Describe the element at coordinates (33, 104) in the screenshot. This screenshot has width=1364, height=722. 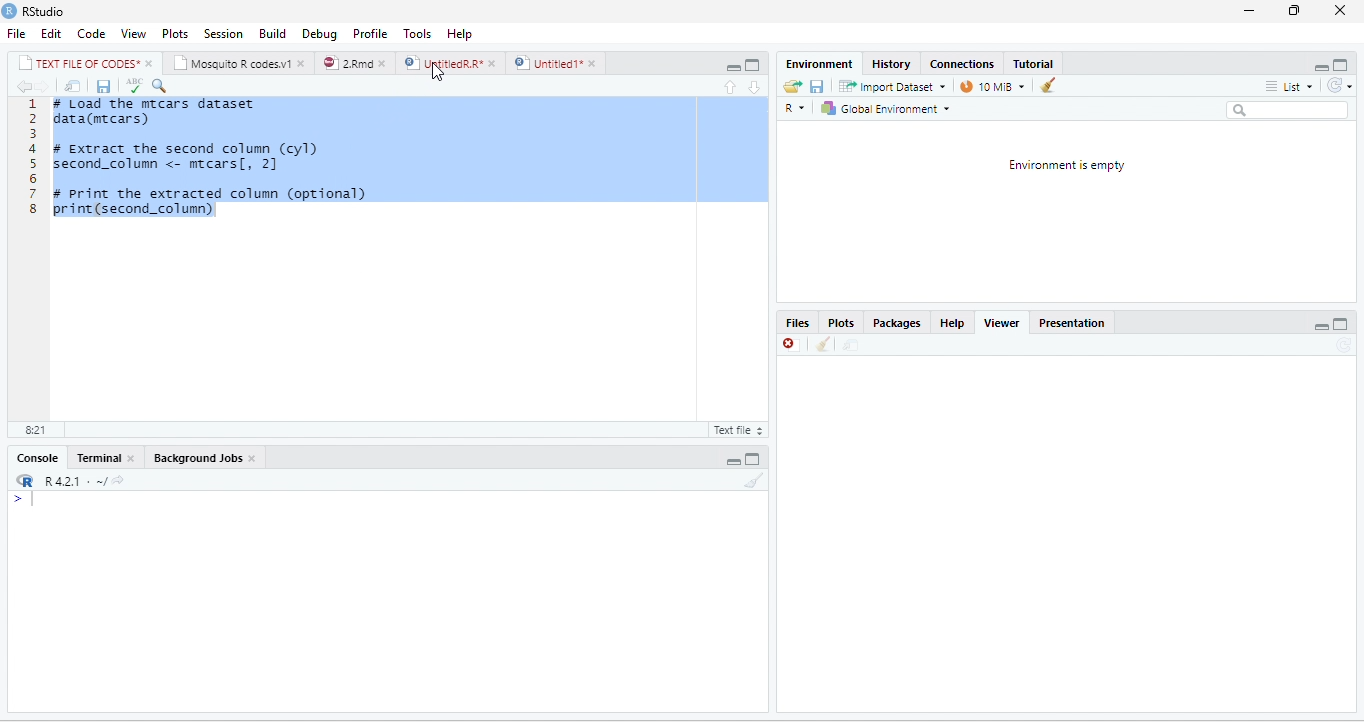
I see `1` at that location.